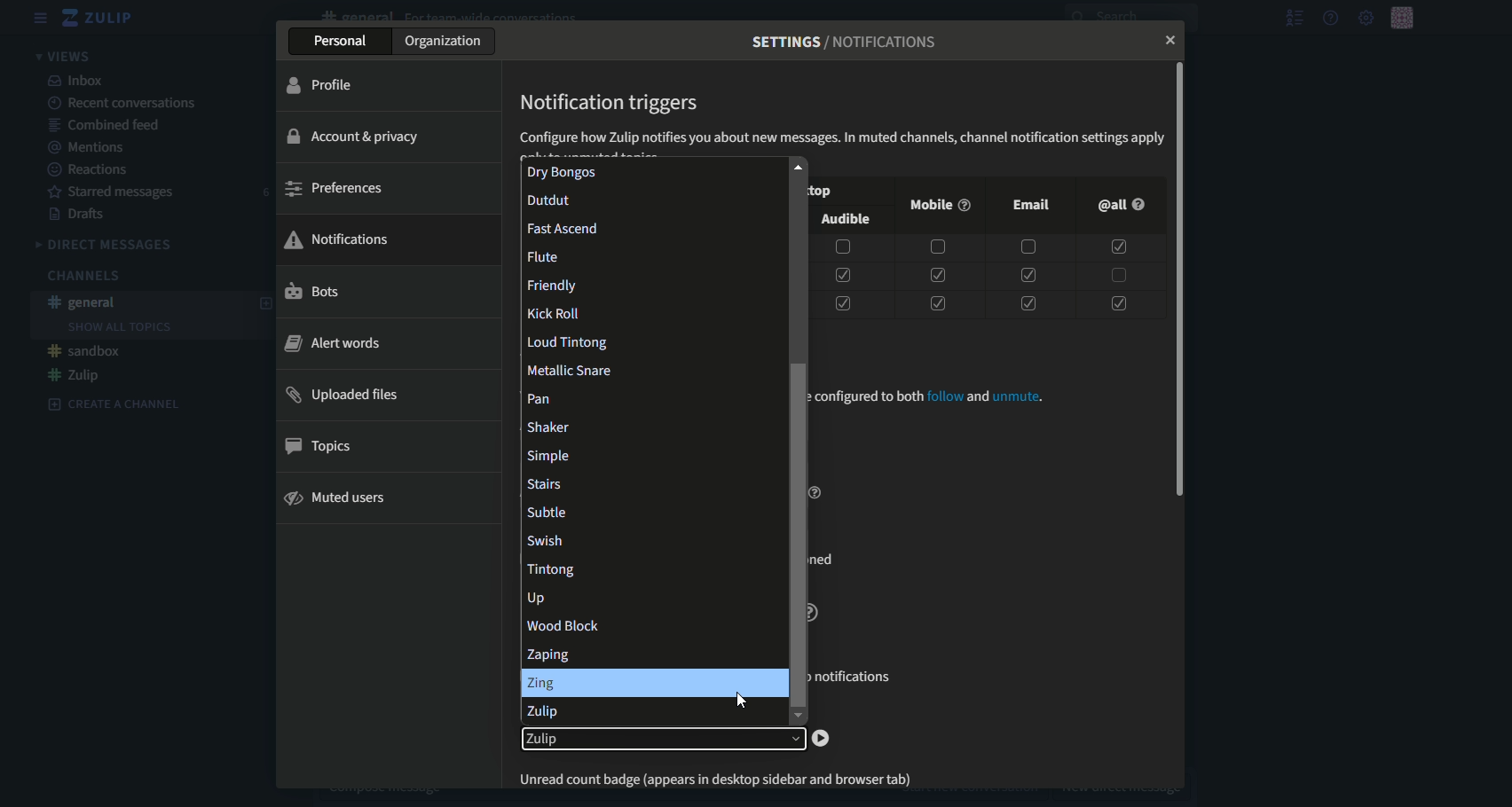 This screenshot has width=1512, height=807. What do you see at coordinates (1179, 279) in the screenshot?
I see `scrollbar` at bounding box center [1179, 279].